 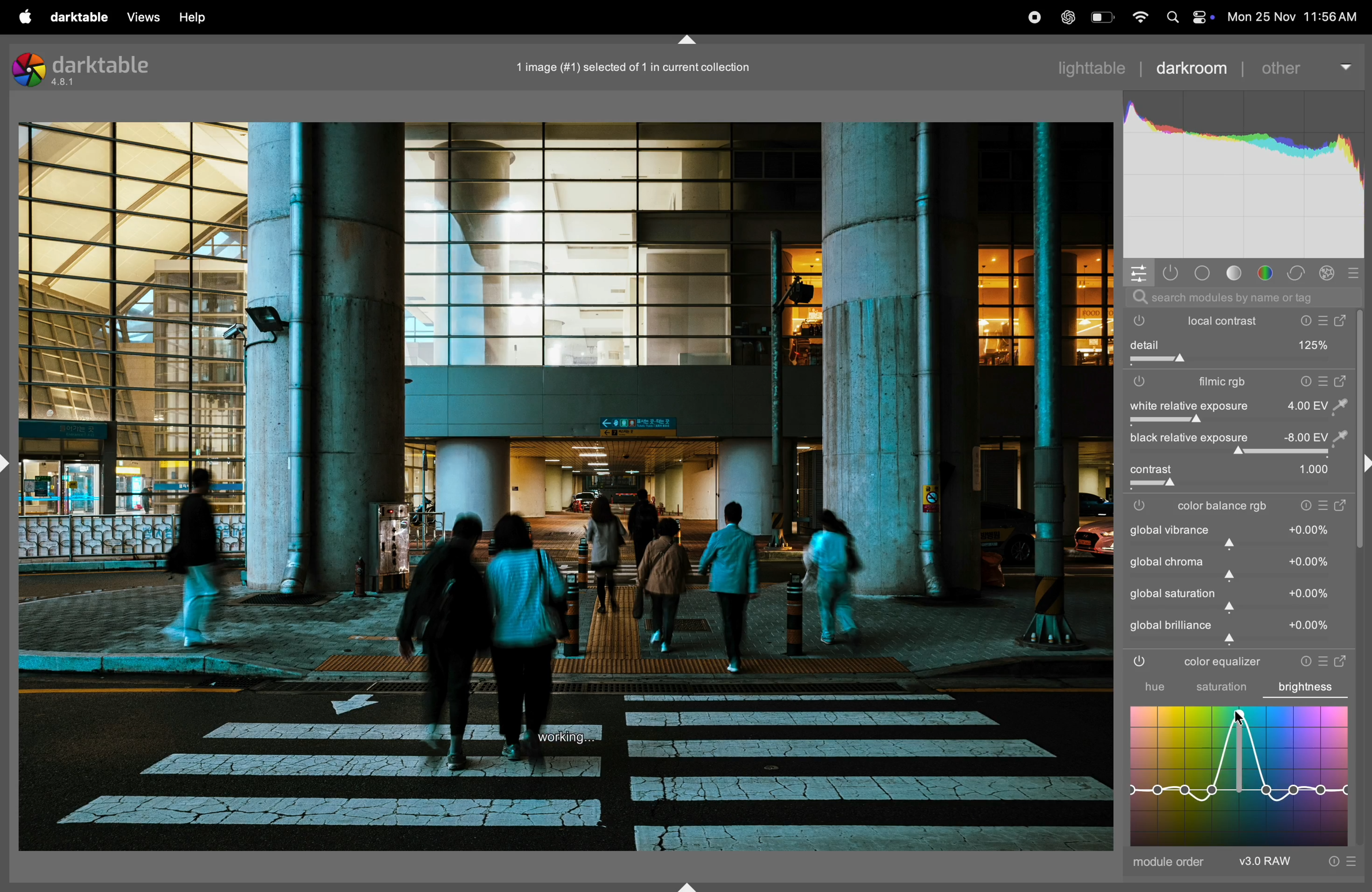 I want to click on saturation, so click(x=1220, y=689).